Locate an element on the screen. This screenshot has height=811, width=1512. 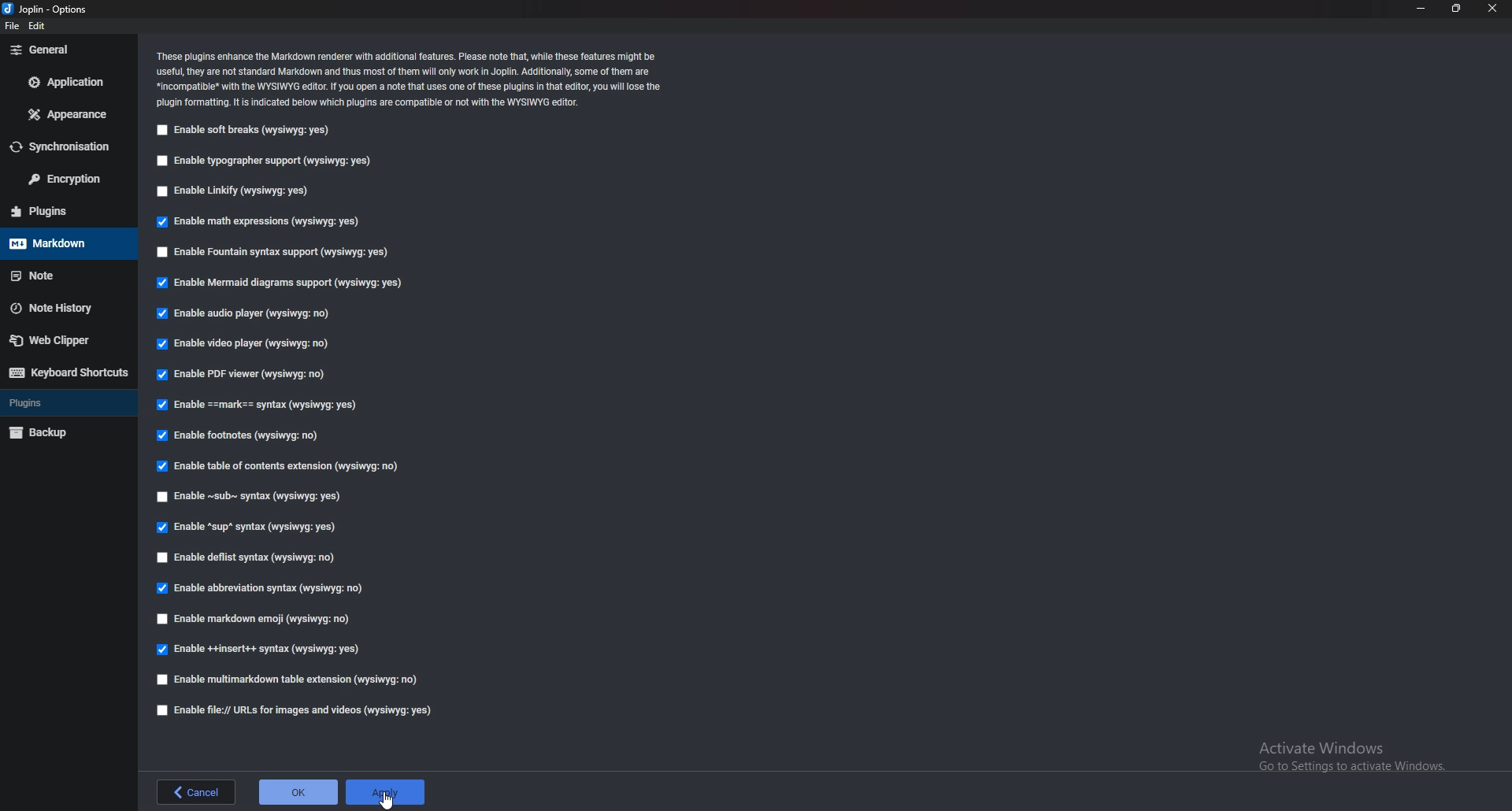
edit is located at coordinates (39, 24).